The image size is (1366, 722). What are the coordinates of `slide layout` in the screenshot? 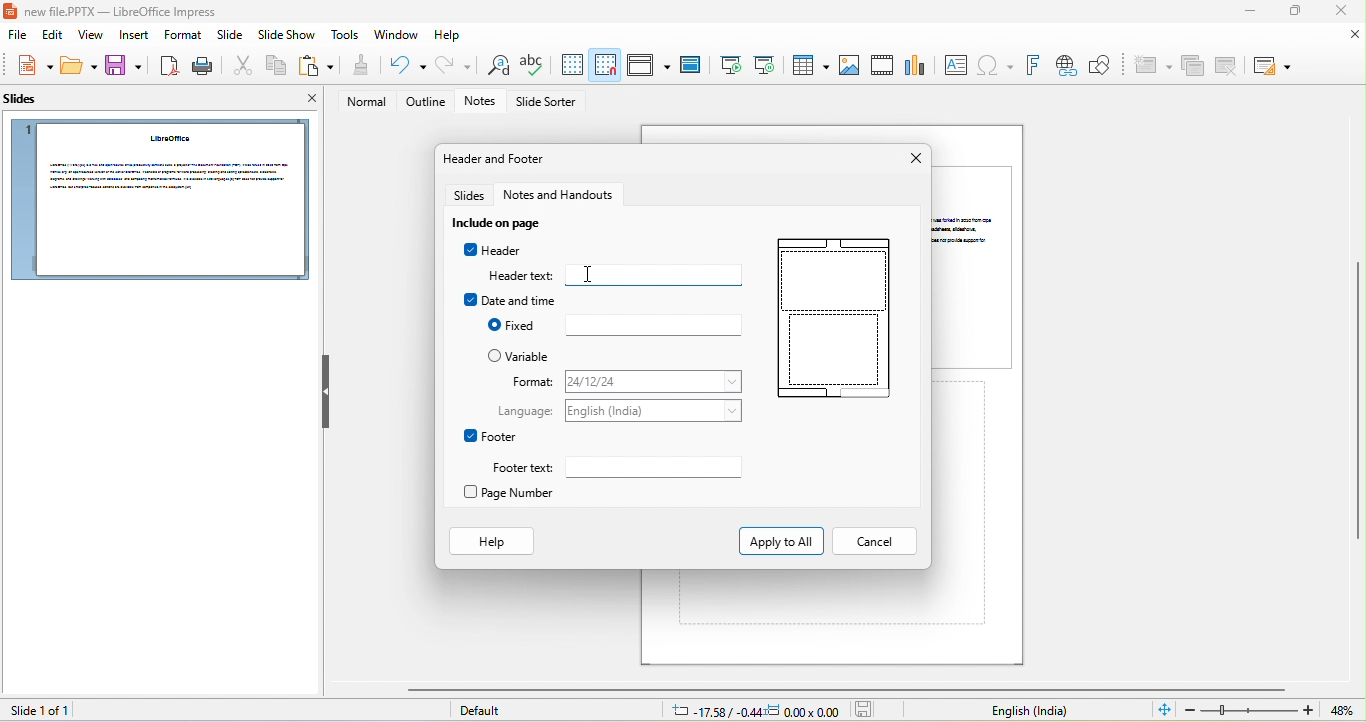 It's located at (1271, 66).